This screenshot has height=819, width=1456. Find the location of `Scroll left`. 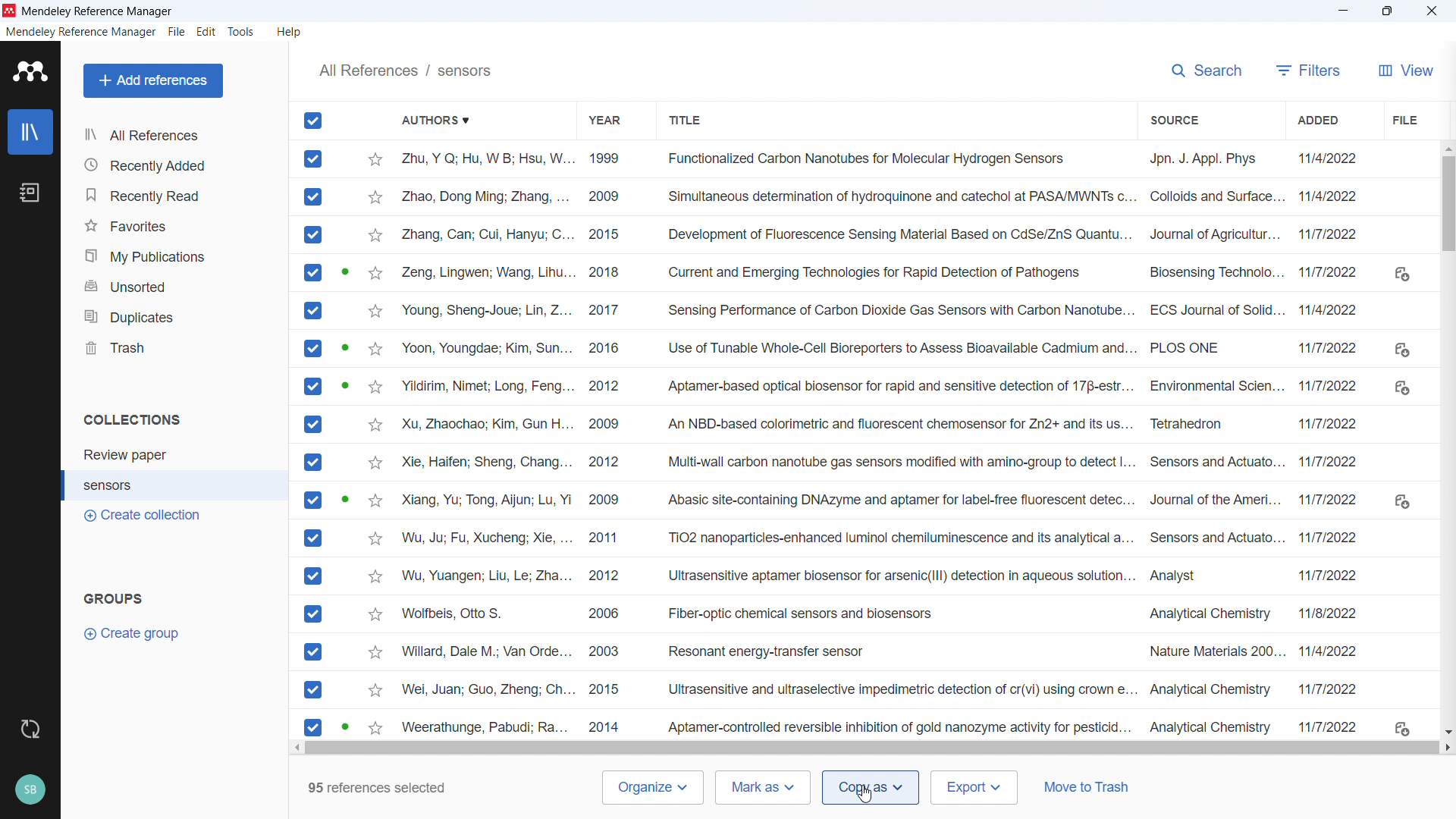

Scroll left is located at coordinates (295, 748).